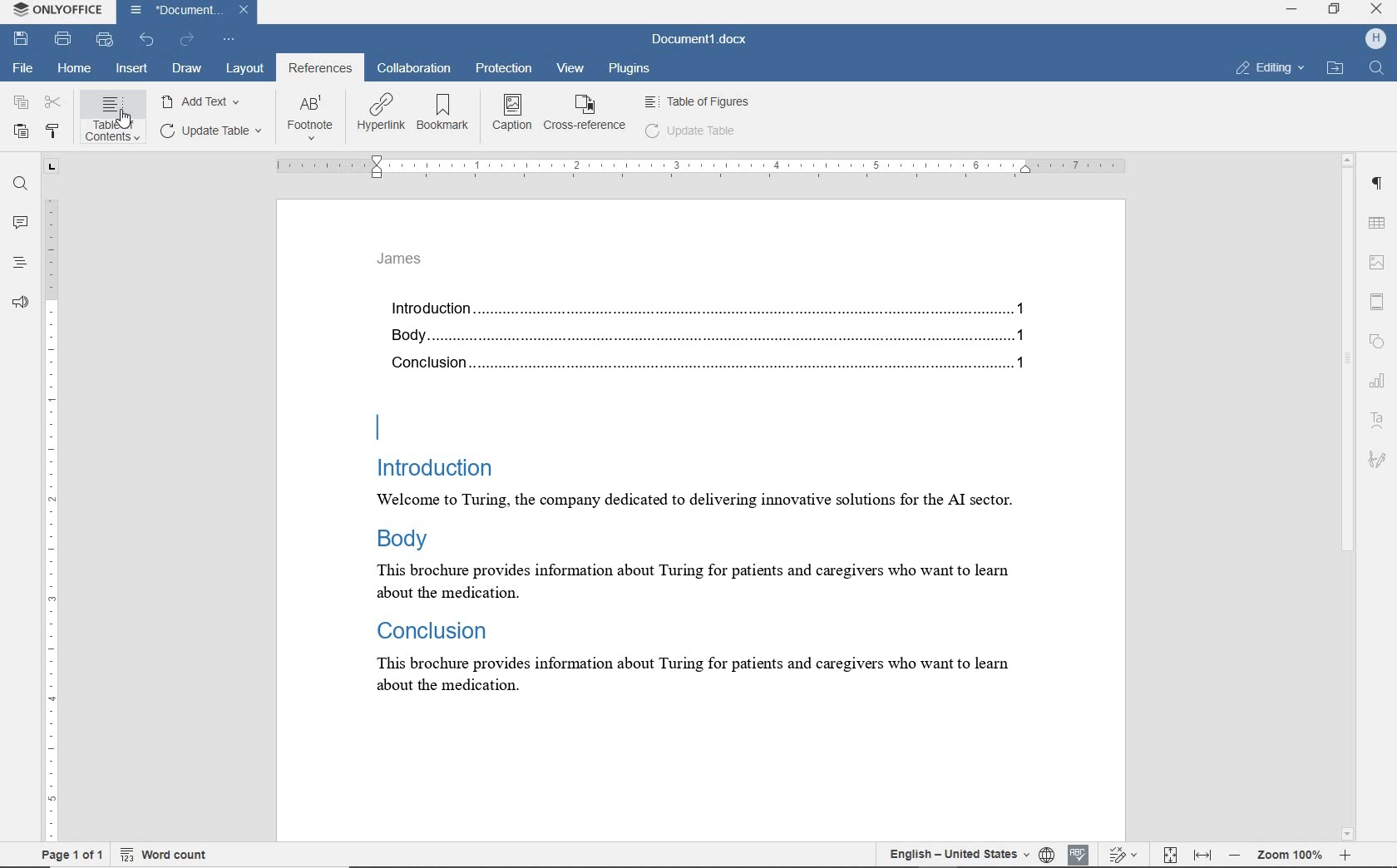 Image resolution: width=1397 pixels, height=868 pixels. What do you see at coordinates (1124, 855) in the screenshot?
I see `track changes` at bounding box center [1124, 855].